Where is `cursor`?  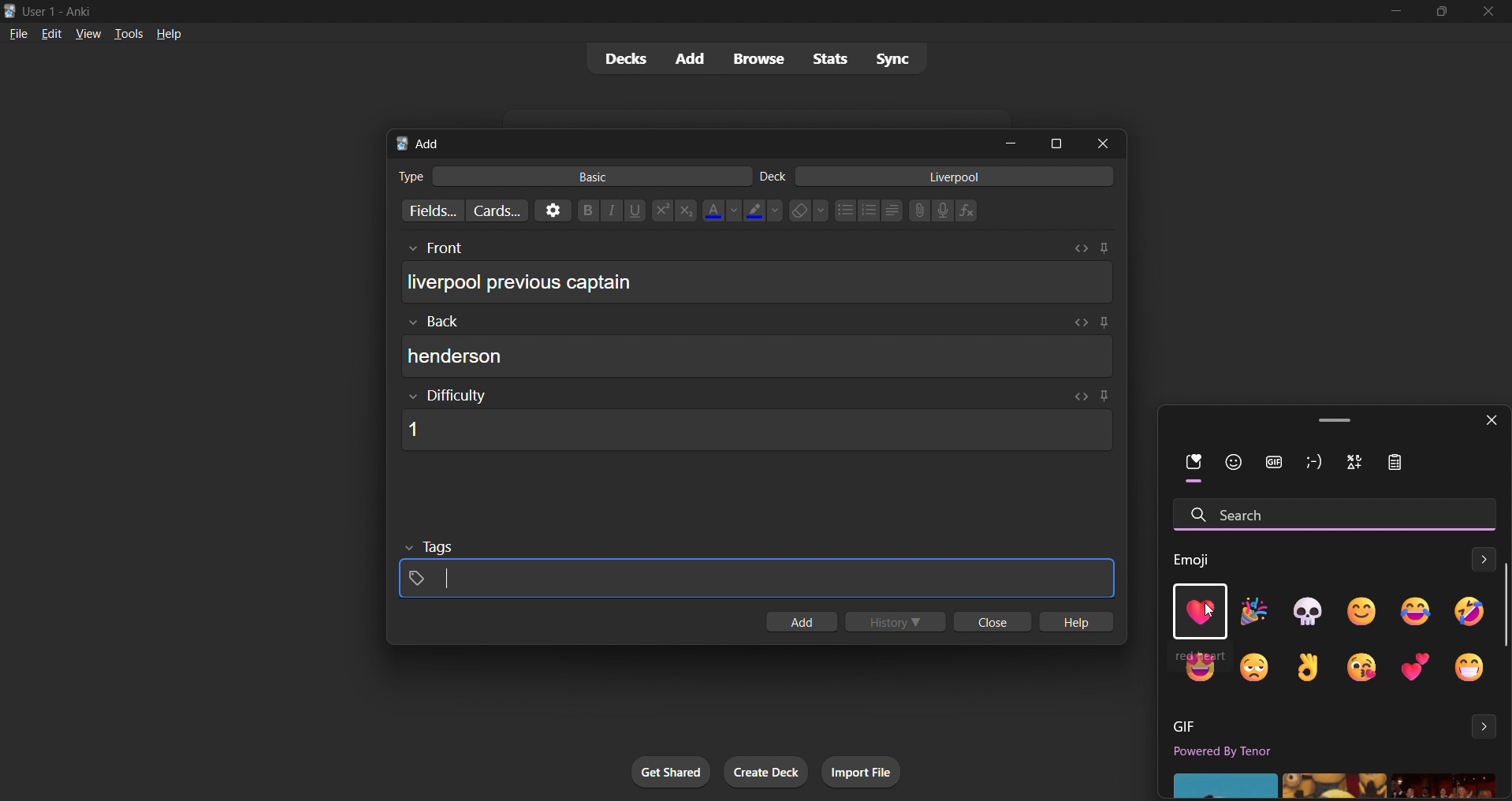 cursor is located at coordinates (1209, 612).